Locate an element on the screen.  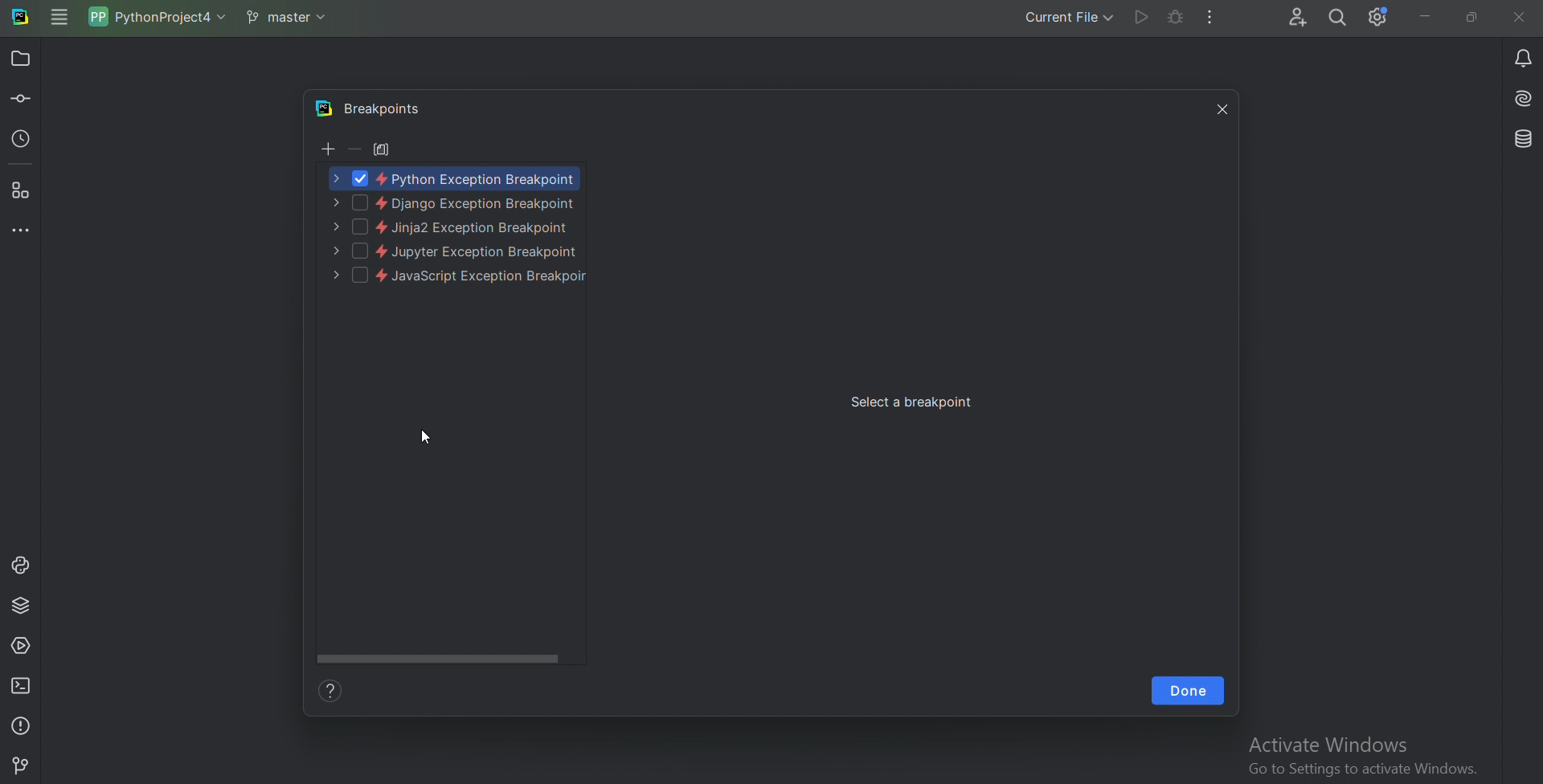
Database is located at coordinates (1521, 140).